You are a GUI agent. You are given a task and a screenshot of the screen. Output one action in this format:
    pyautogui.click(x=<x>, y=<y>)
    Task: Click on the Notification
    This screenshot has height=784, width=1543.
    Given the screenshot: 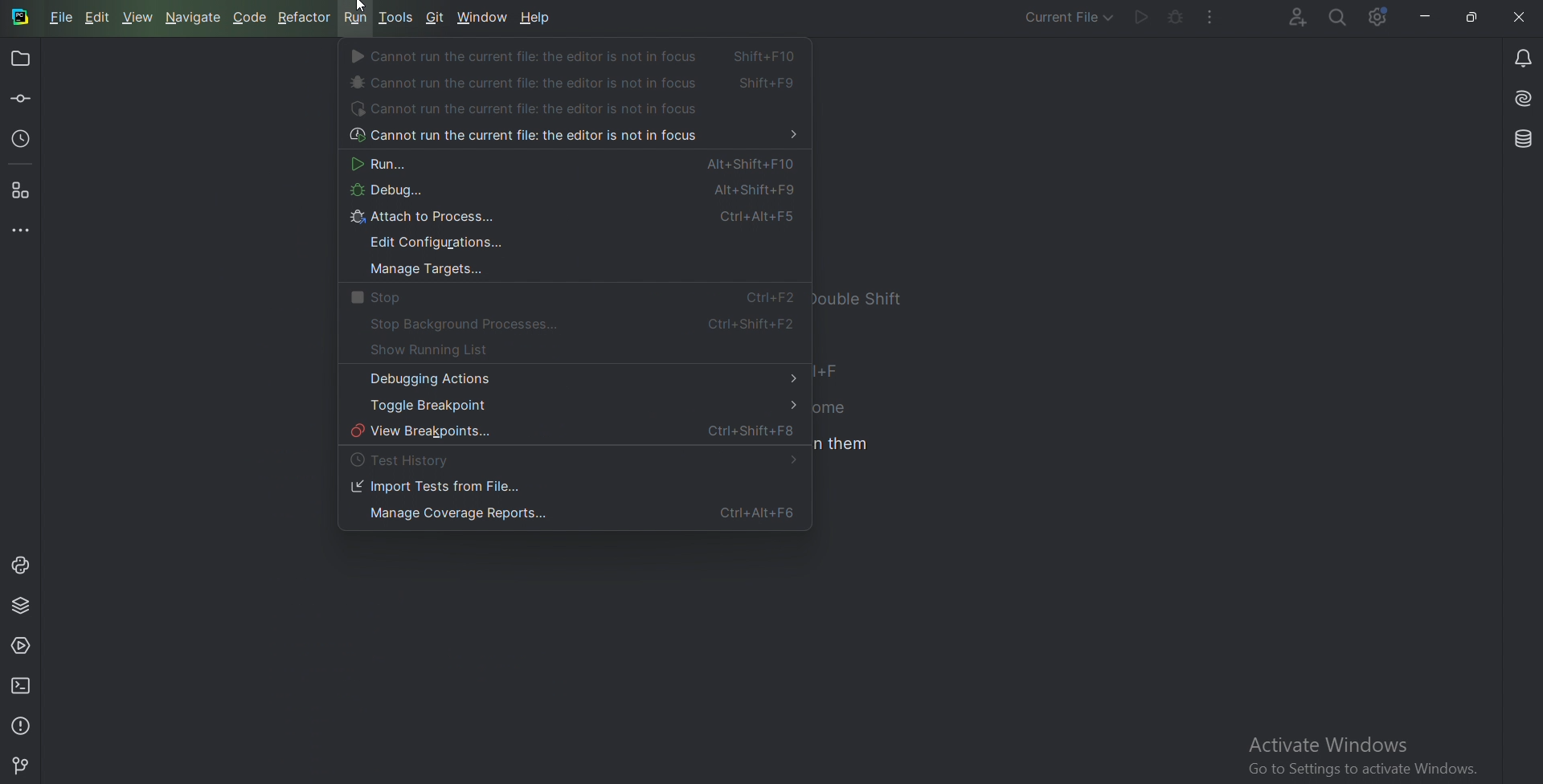 What is the action you would take?
    pyautogui.click(x=1520, y=57)
    